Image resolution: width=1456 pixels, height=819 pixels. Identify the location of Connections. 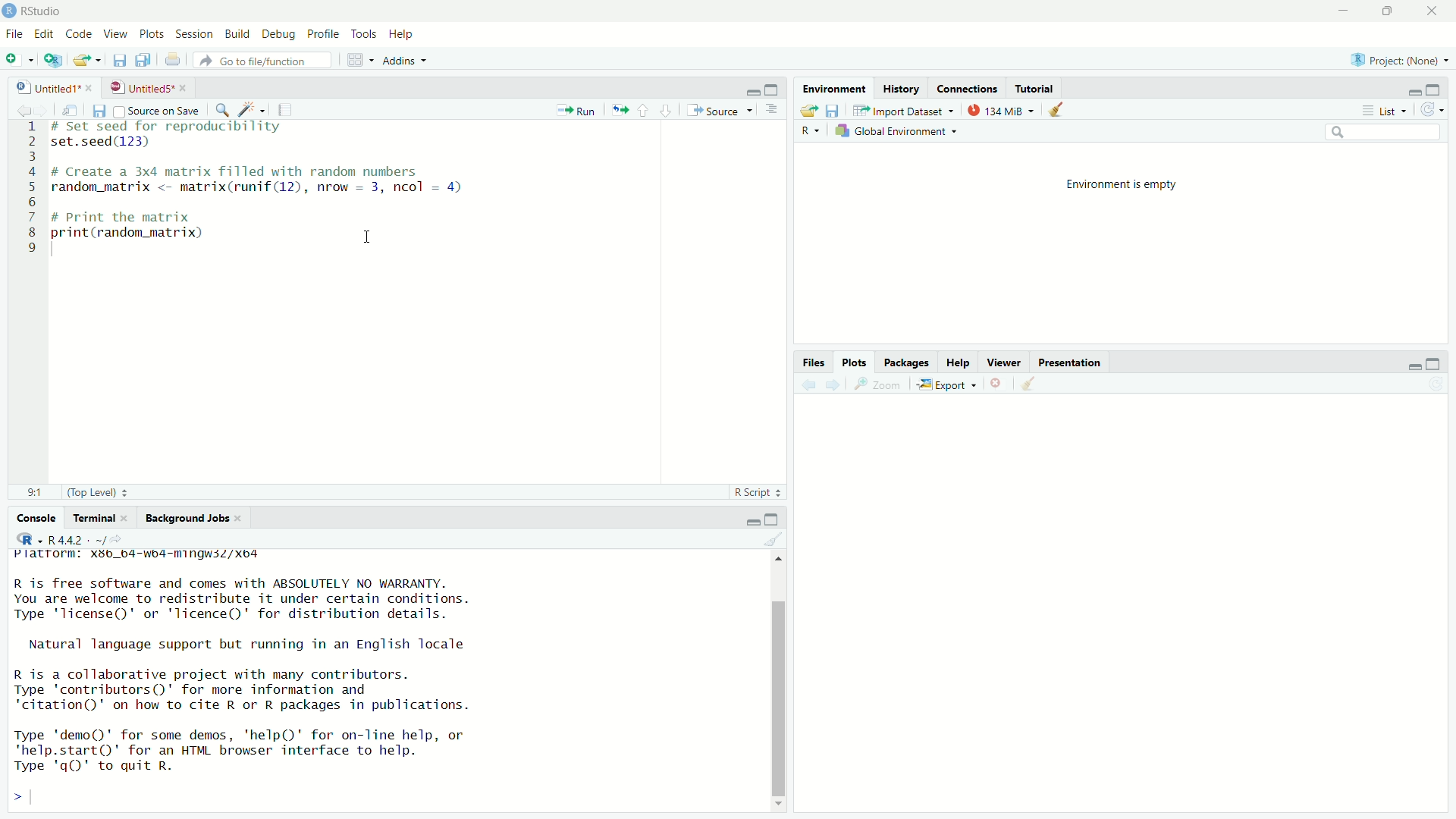
(968, 88).